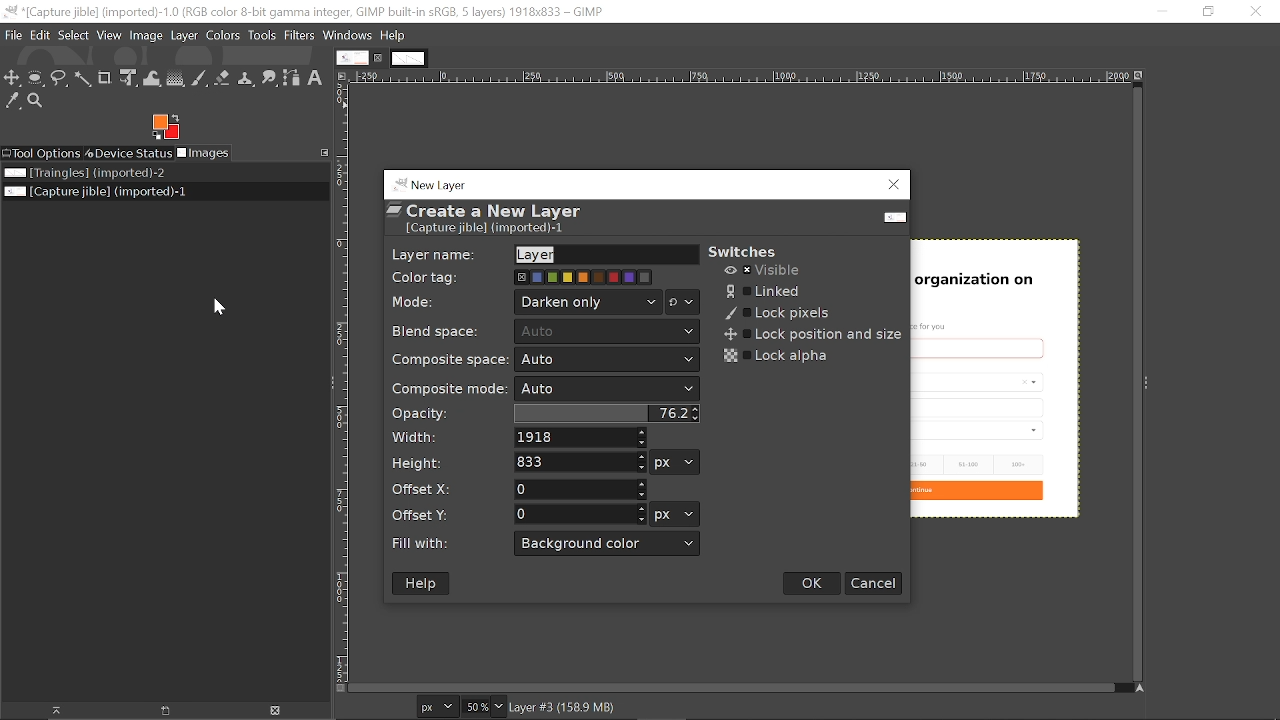 The height and width of the screenshot is (720, 1280). What do you see at coordinates (13, 78) in the screenshot?
I see `Move tool` at bounding box center [13, 78].